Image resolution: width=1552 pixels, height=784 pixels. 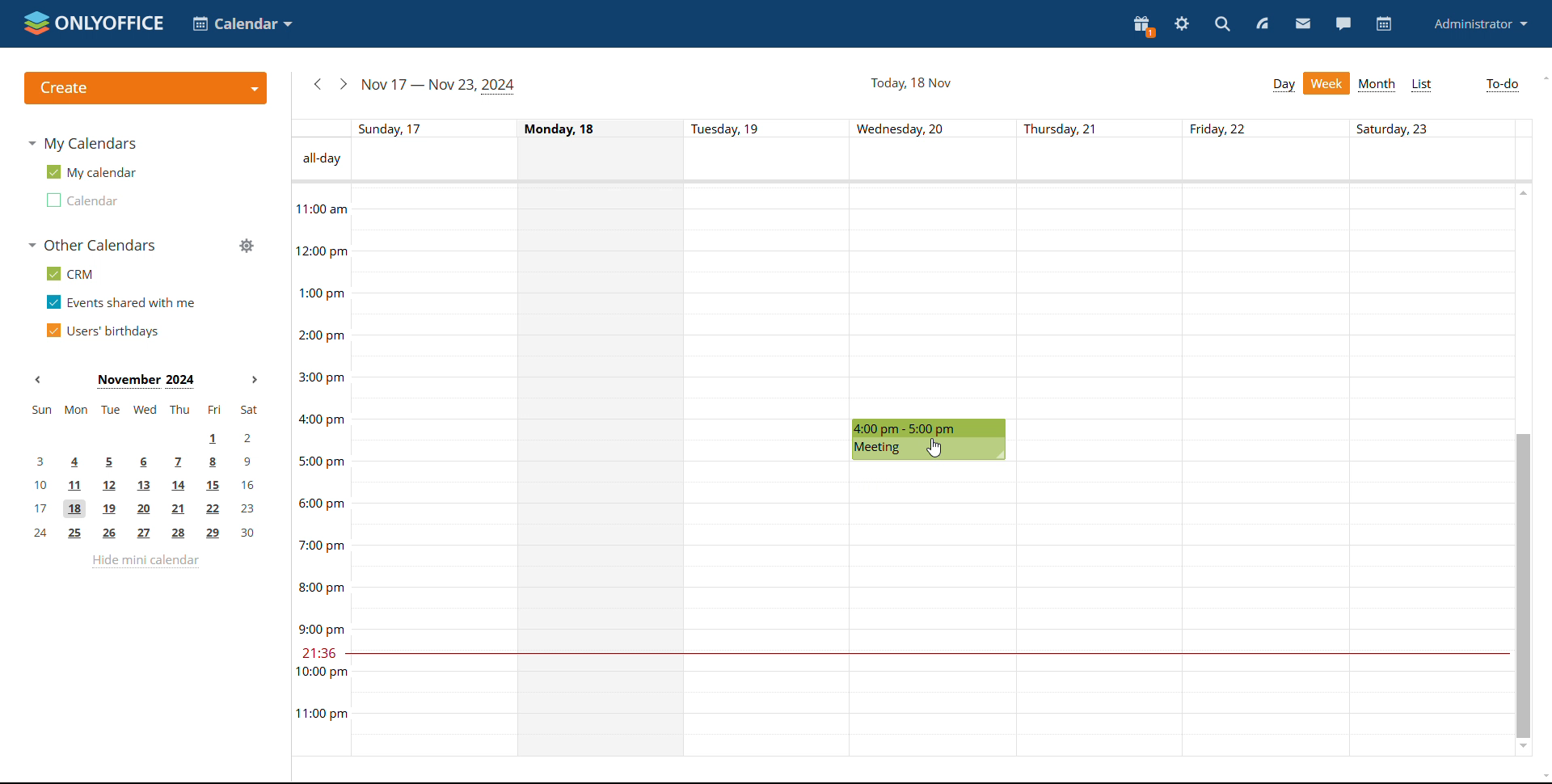 I want to click on Month on display, so click(x=146, y=381).